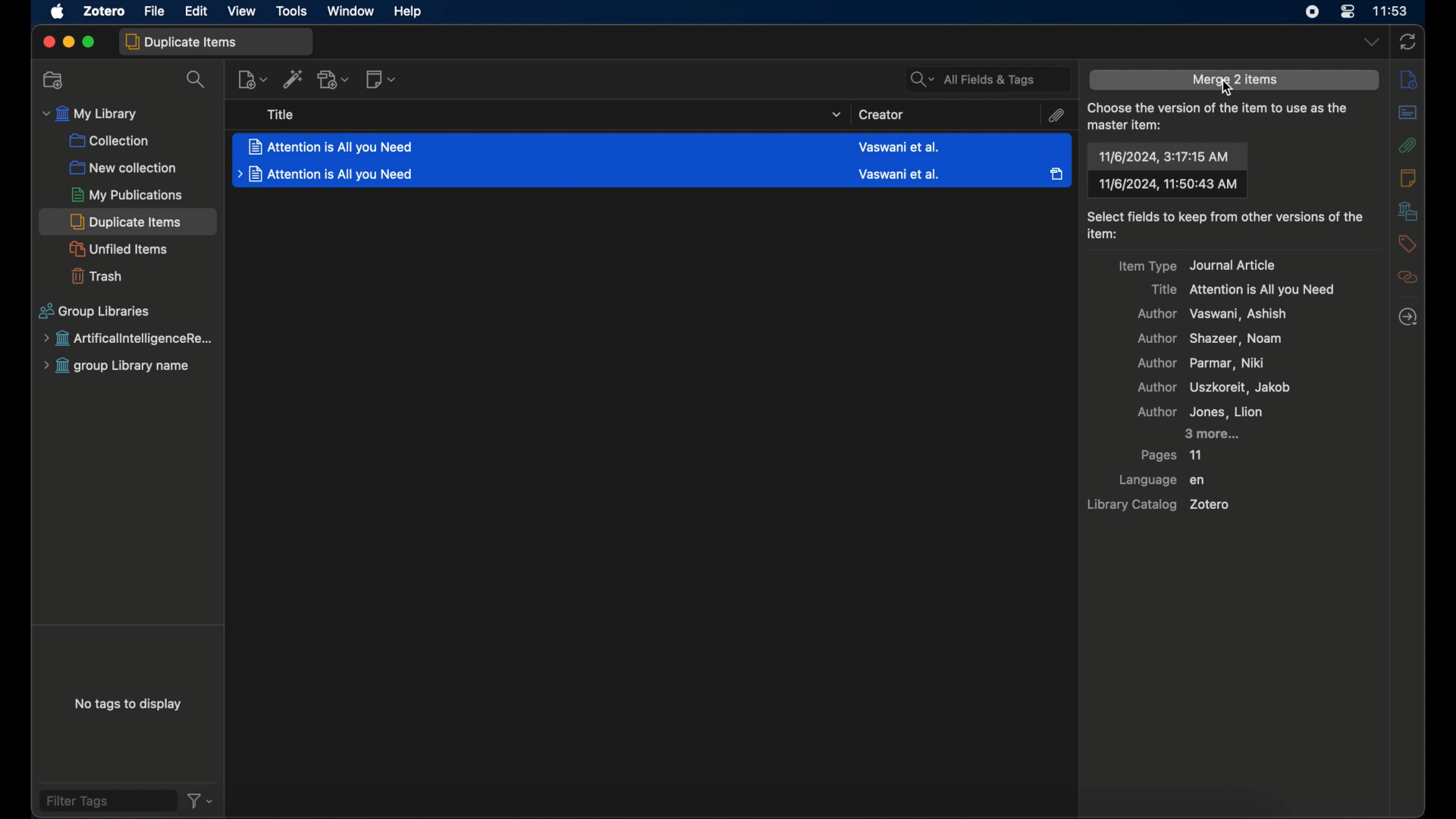  Describe the element at coordinates (1370, 41) in the screenshot. I see `dropdown menu` at that location.